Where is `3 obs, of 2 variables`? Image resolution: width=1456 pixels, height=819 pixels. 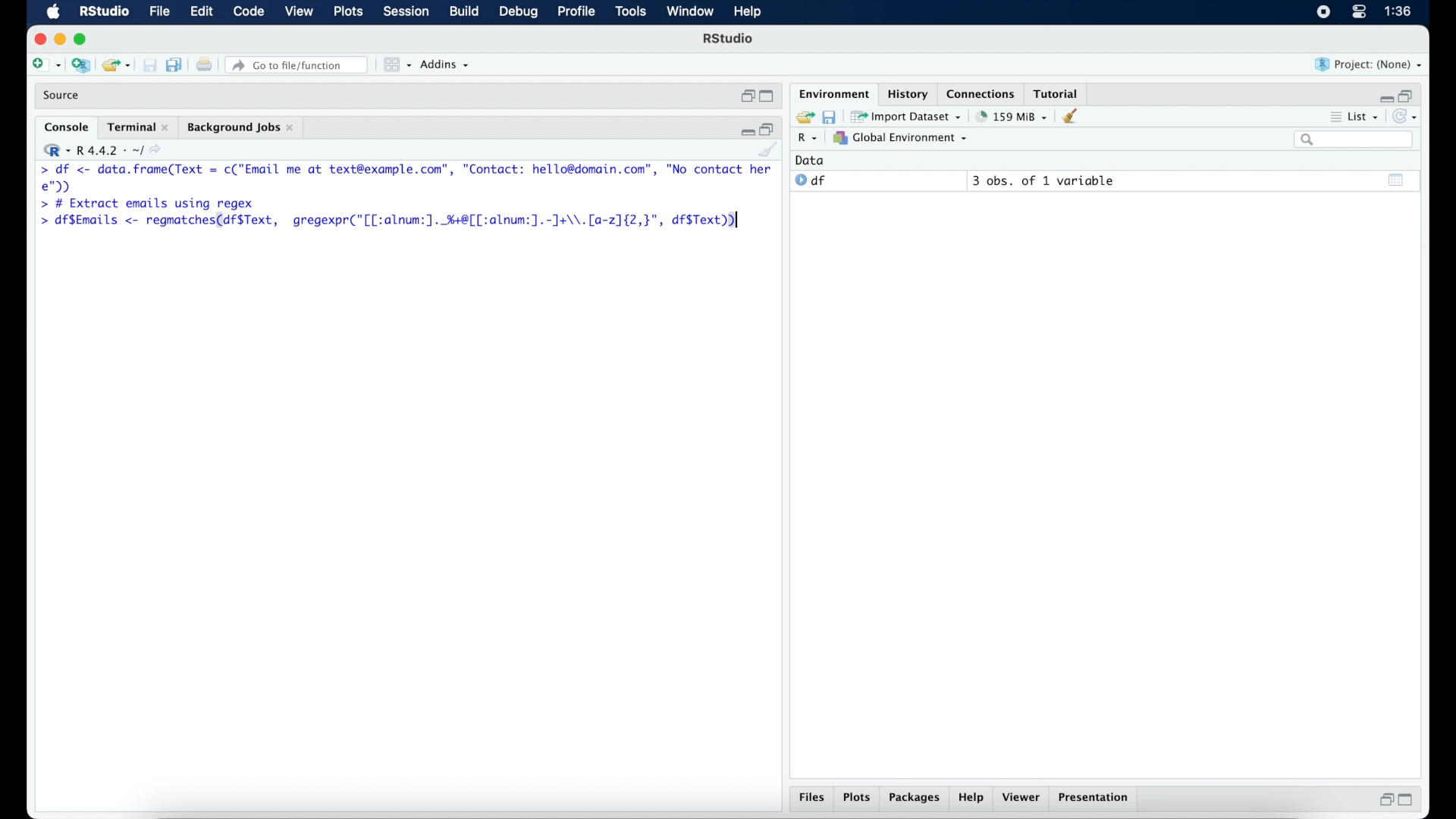
3 obs, of 2 variables is located at coordinates (1047, 180).